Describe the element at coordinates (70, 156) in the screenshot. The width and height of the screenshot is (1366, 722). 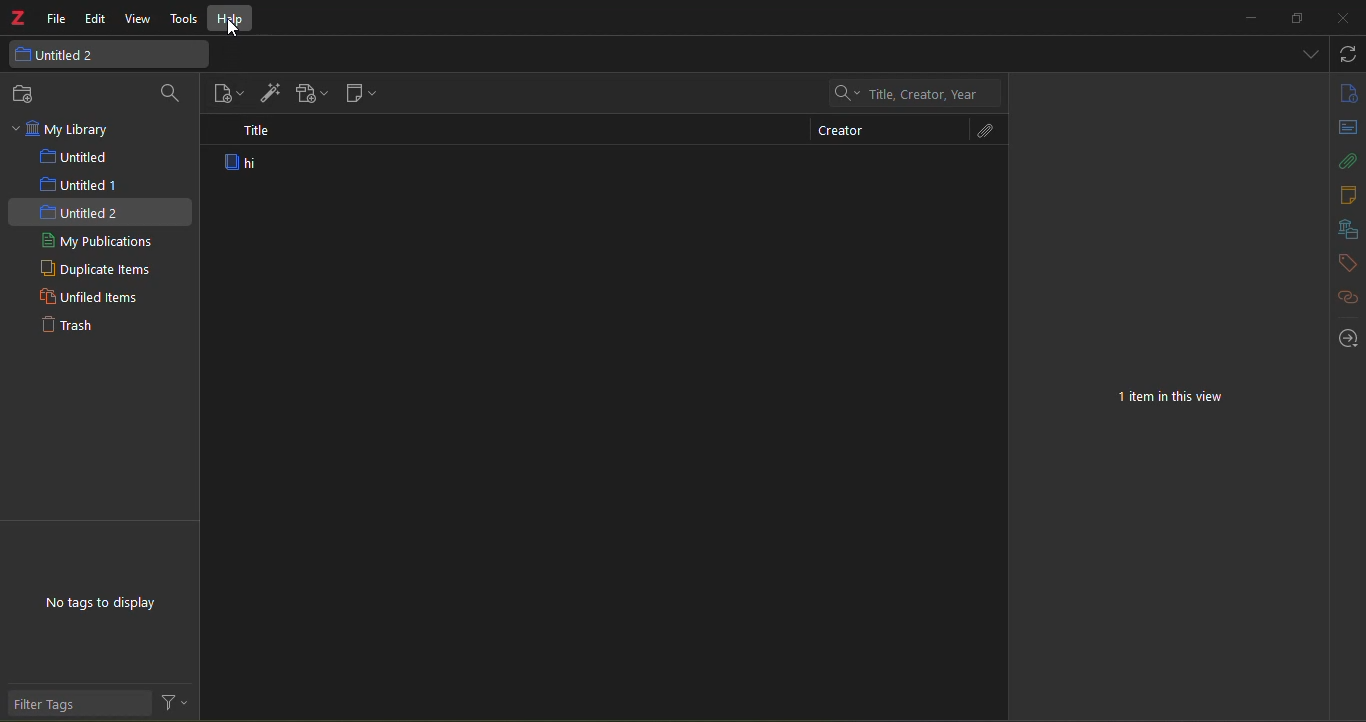
I see `untitled` at that location.